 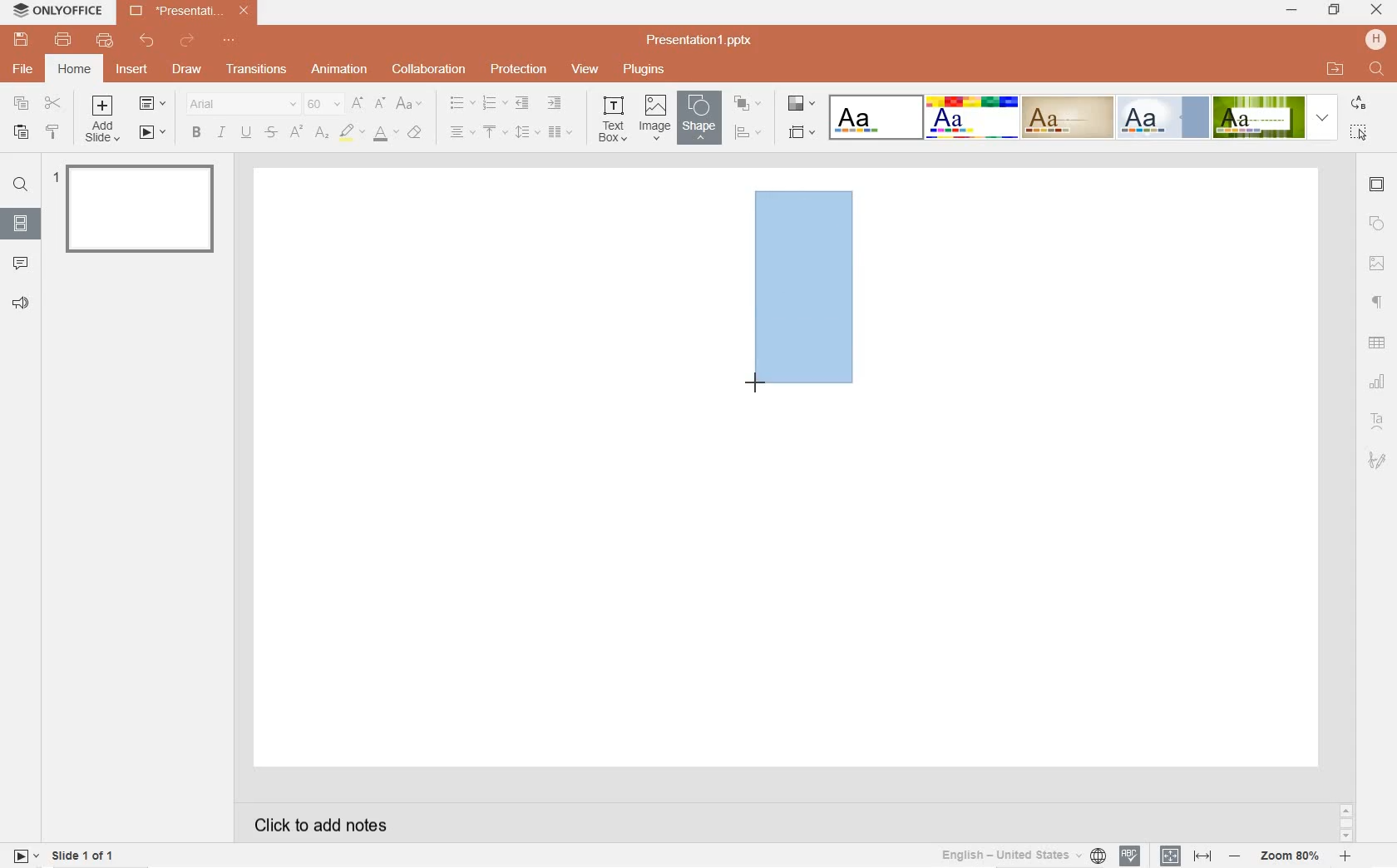 I want to click on insert, so click(x=135, y=74).